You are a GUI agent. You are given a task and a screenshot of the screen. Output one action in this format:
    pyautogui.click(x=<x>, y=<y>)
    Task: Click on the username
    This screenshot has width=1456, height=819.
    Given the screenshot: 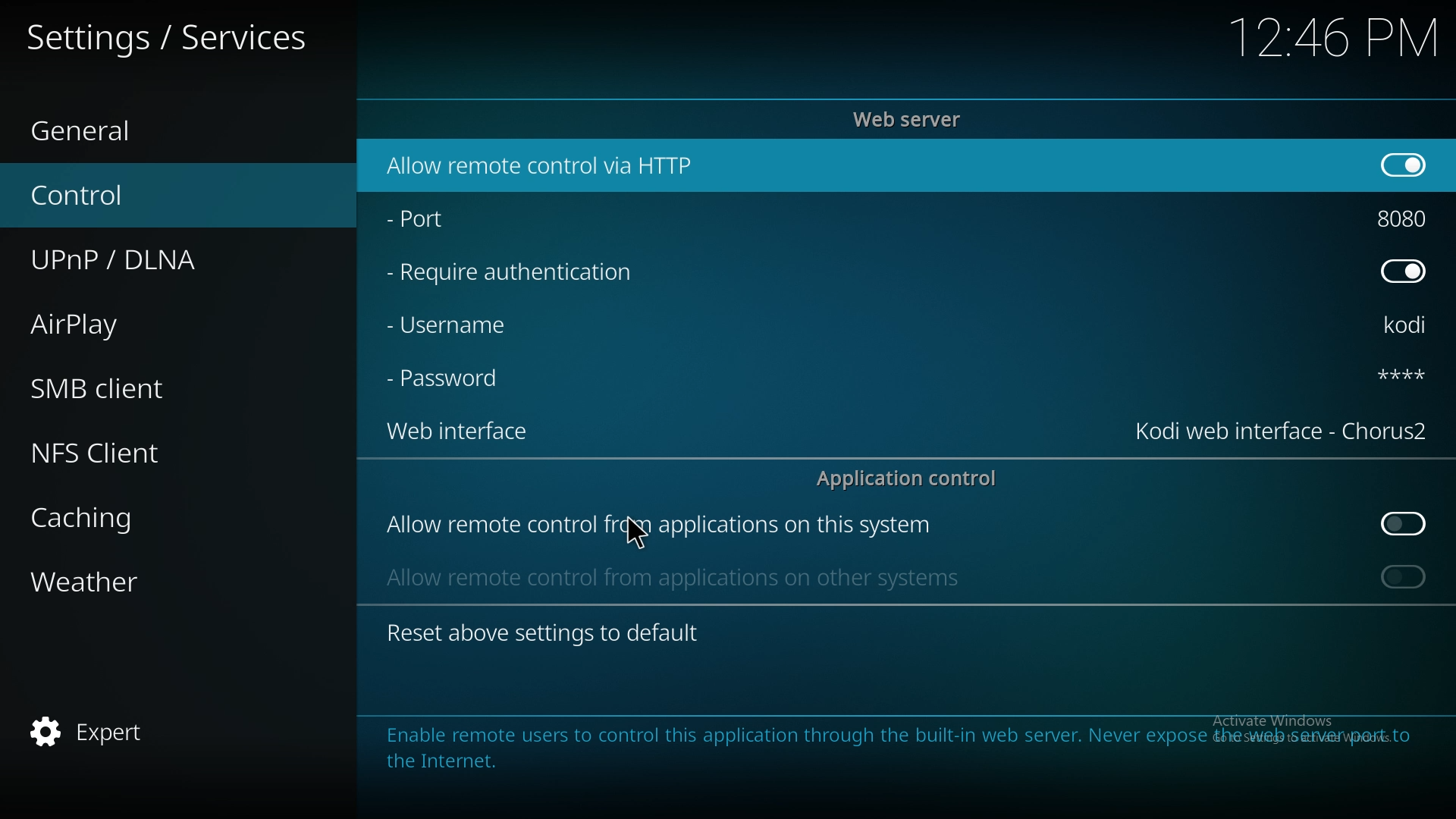 What is the action you would take?
    pyautogui.click(x=1407, y=327)
    